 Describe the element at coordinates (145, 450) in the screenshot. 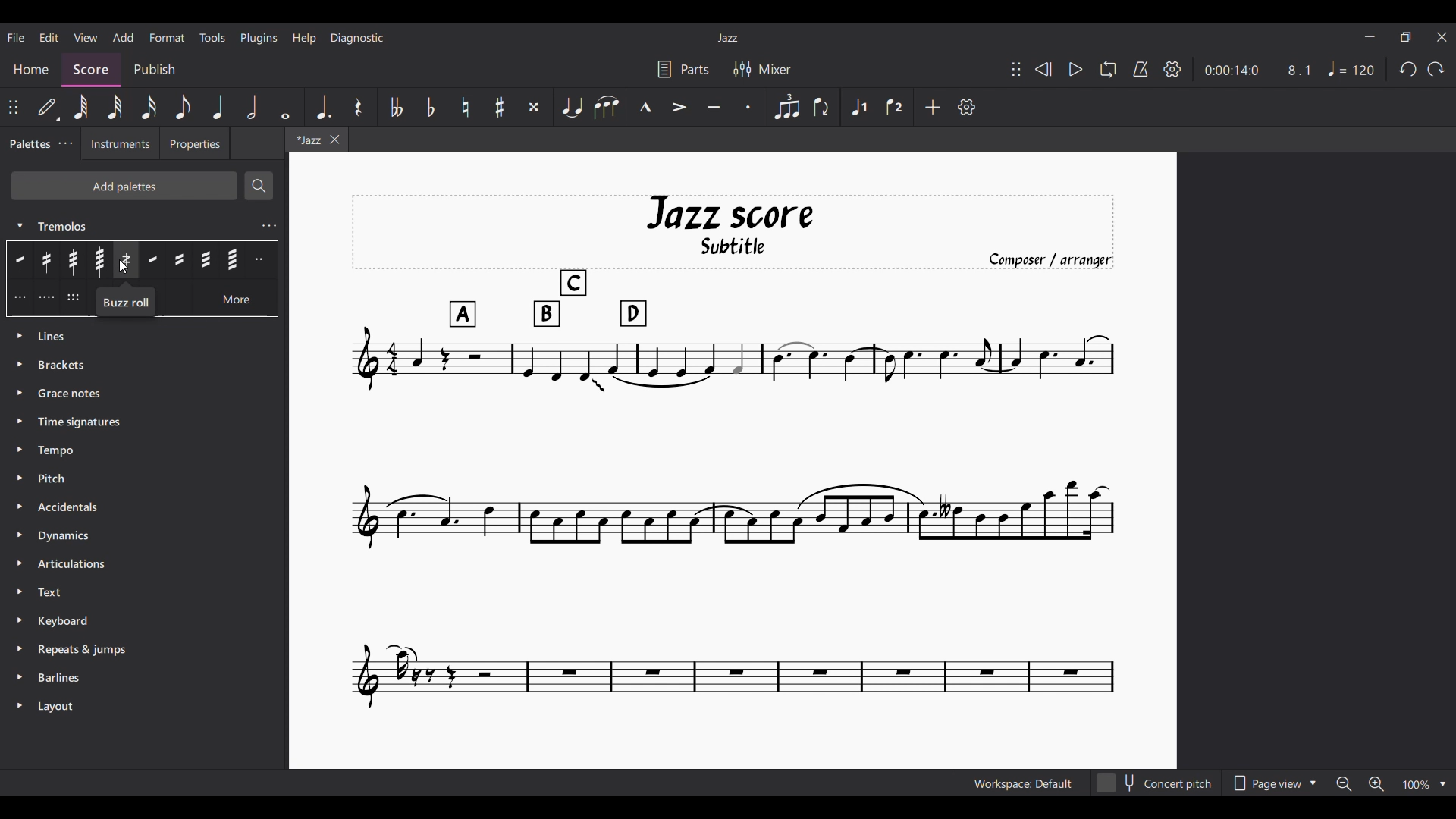

I see `Tempo` at that location.